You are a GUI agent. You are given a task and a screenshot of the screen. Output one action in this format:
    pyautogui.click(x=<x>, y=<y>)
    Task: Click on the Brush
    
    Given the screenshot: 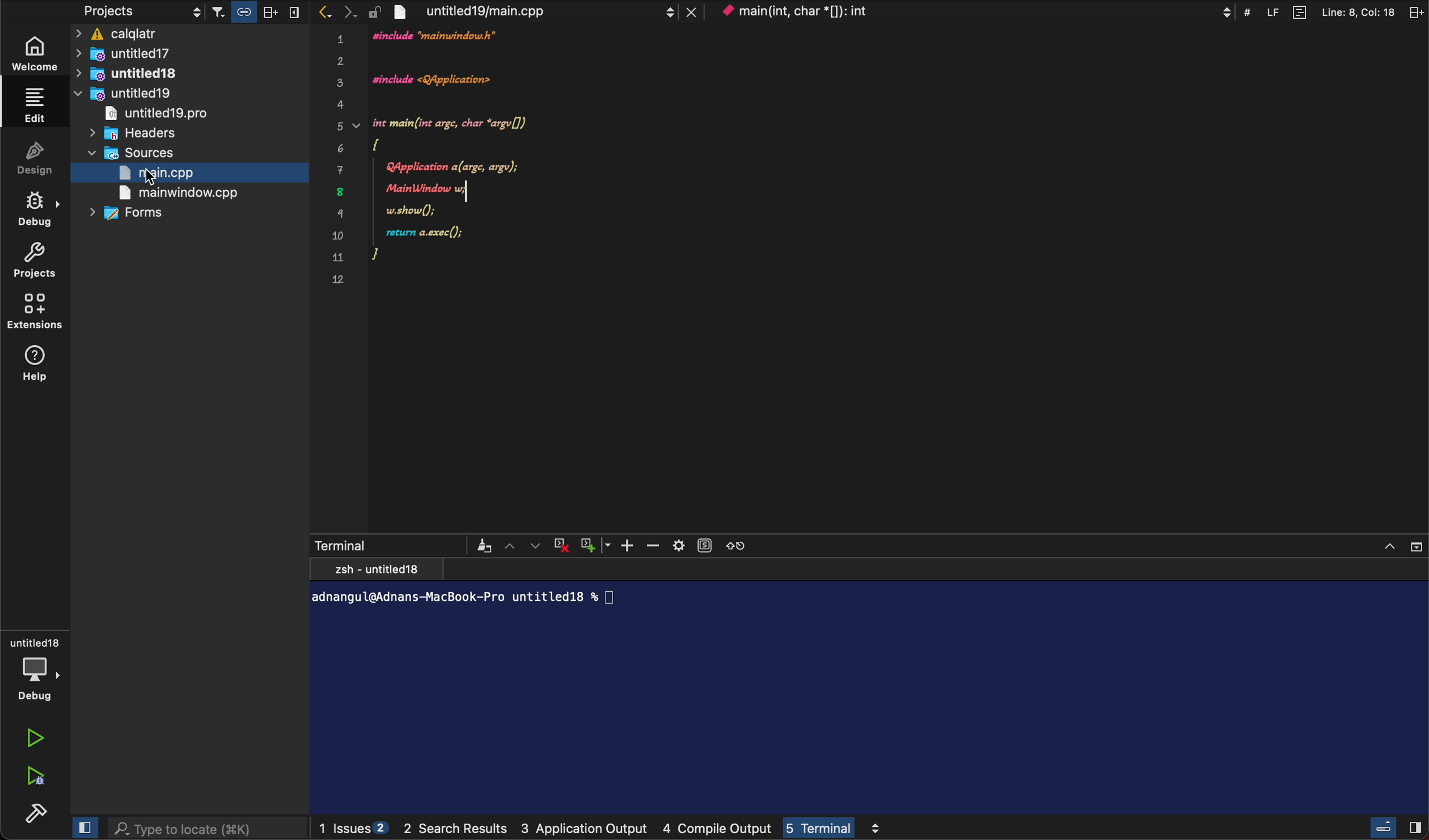 What is the action you would take?
    pyautogui.click(x=484, y=545)
    